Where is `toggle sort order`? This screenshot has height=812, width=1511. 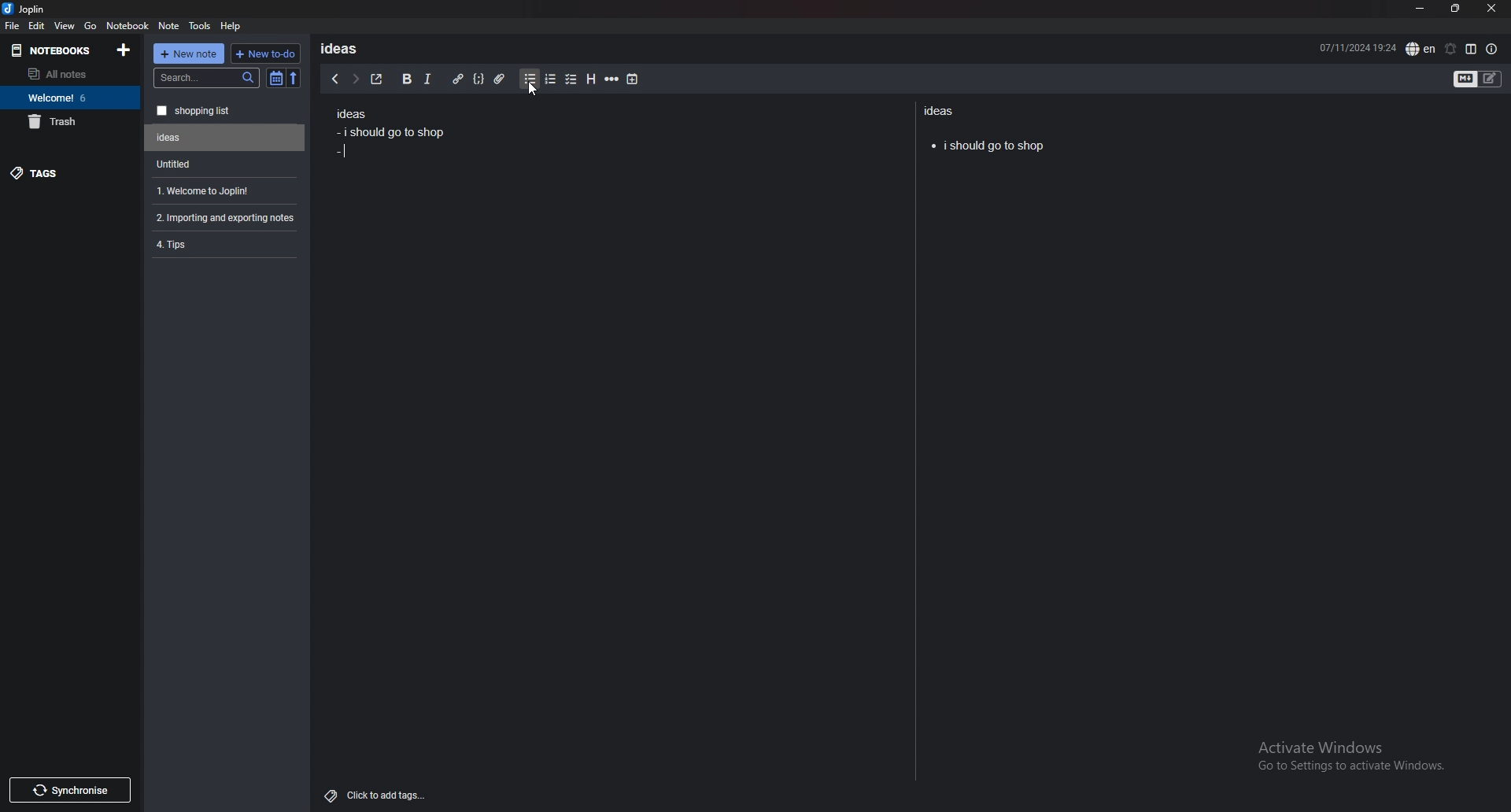 toggle sort order is located at coordinates (276, 79).